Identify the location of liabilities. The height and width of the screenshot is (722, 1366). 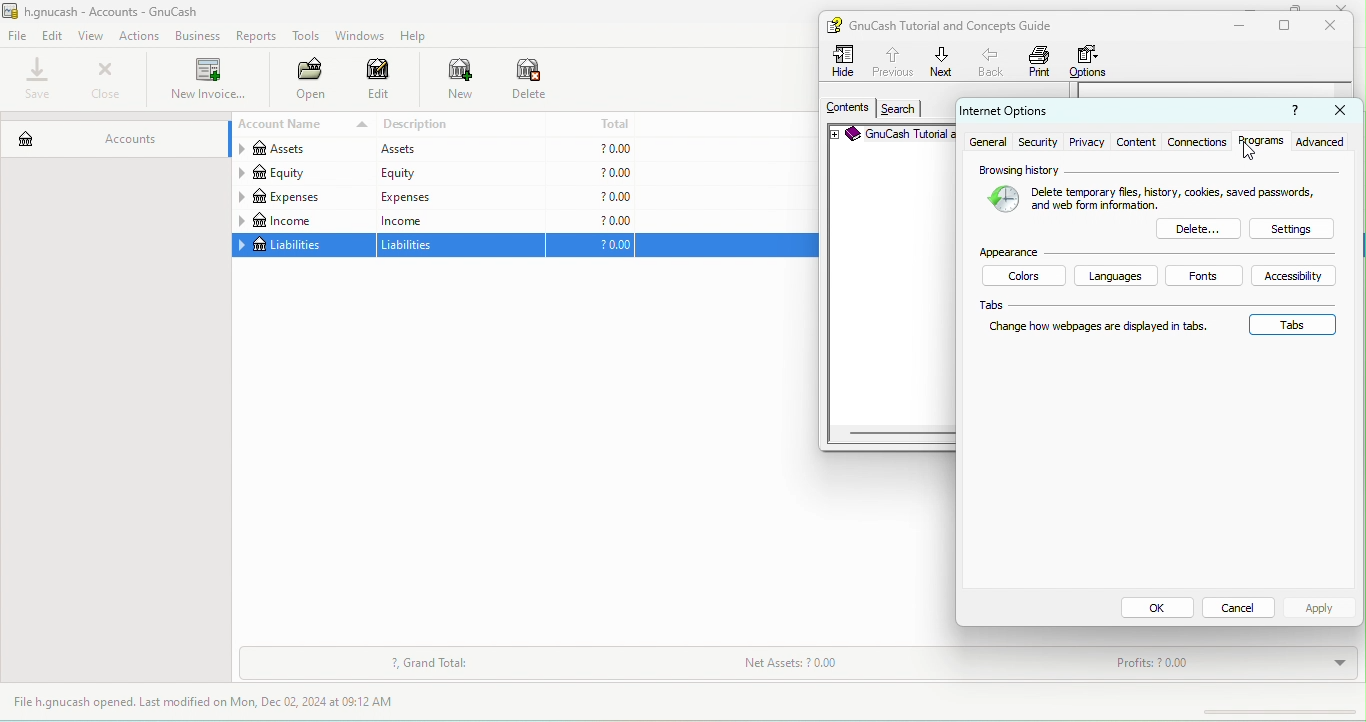
(462, 246).